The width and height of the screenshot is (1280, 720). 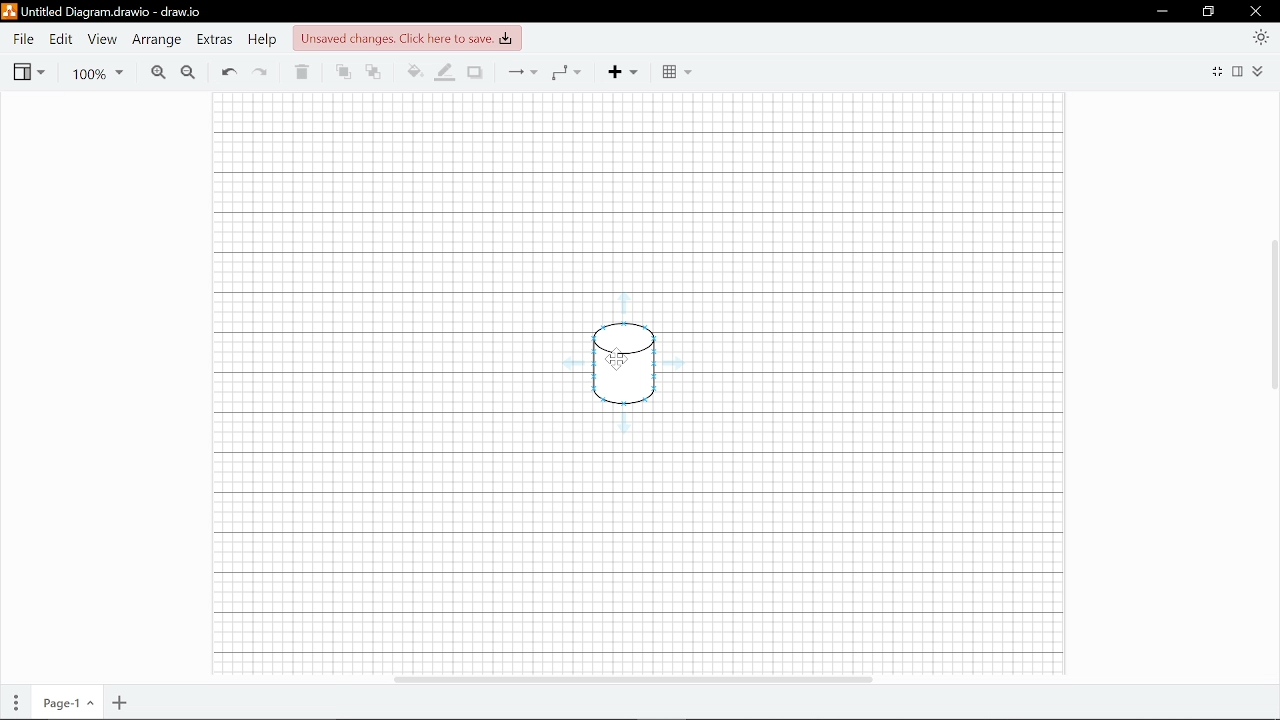 What do you see at coordinates (1258, 72) in the screenshot?
I see `Expand/collapse` at bounding box center [1258, 72].